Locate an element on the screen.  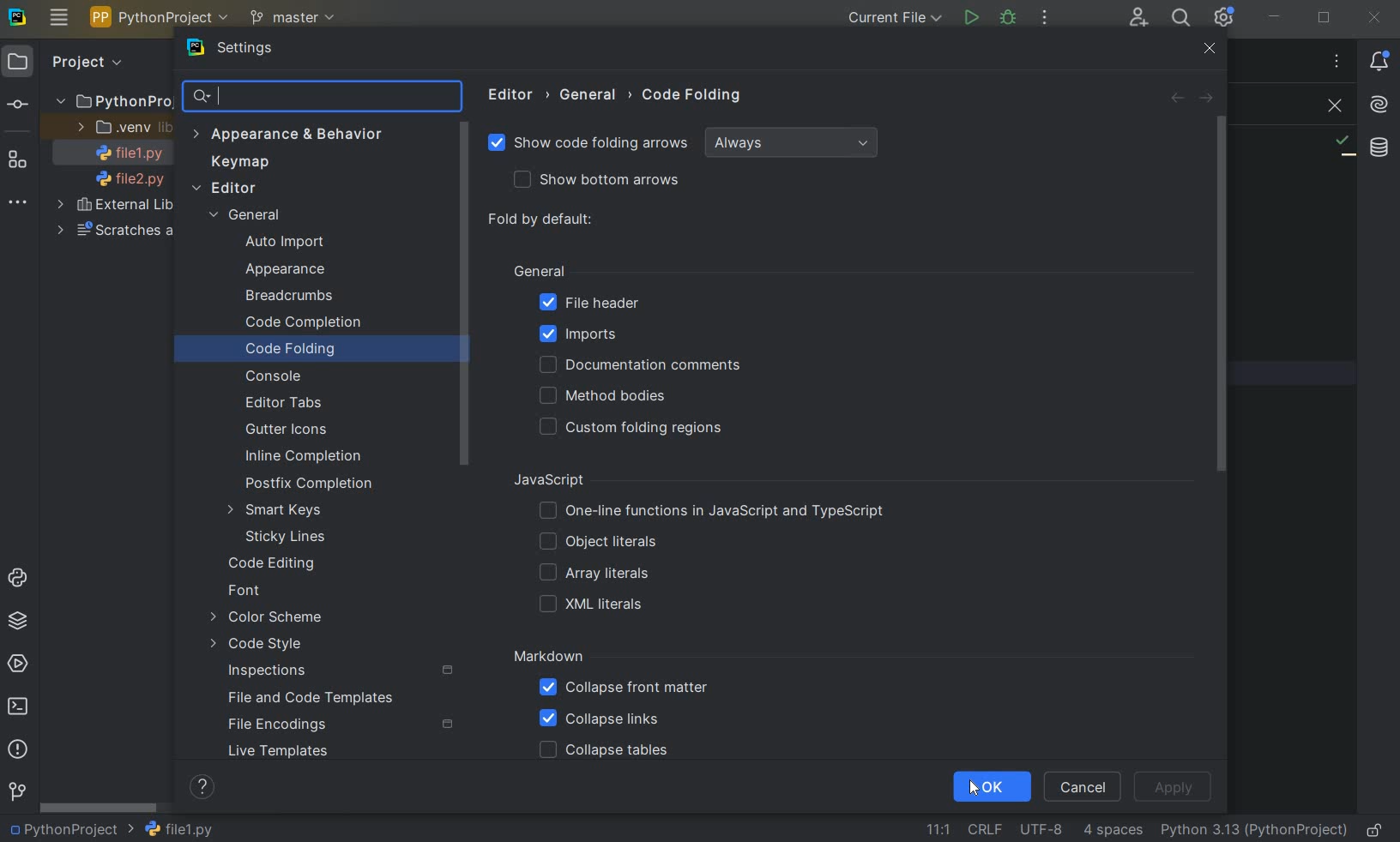
GENERAL is located at coordinates (593, 95).